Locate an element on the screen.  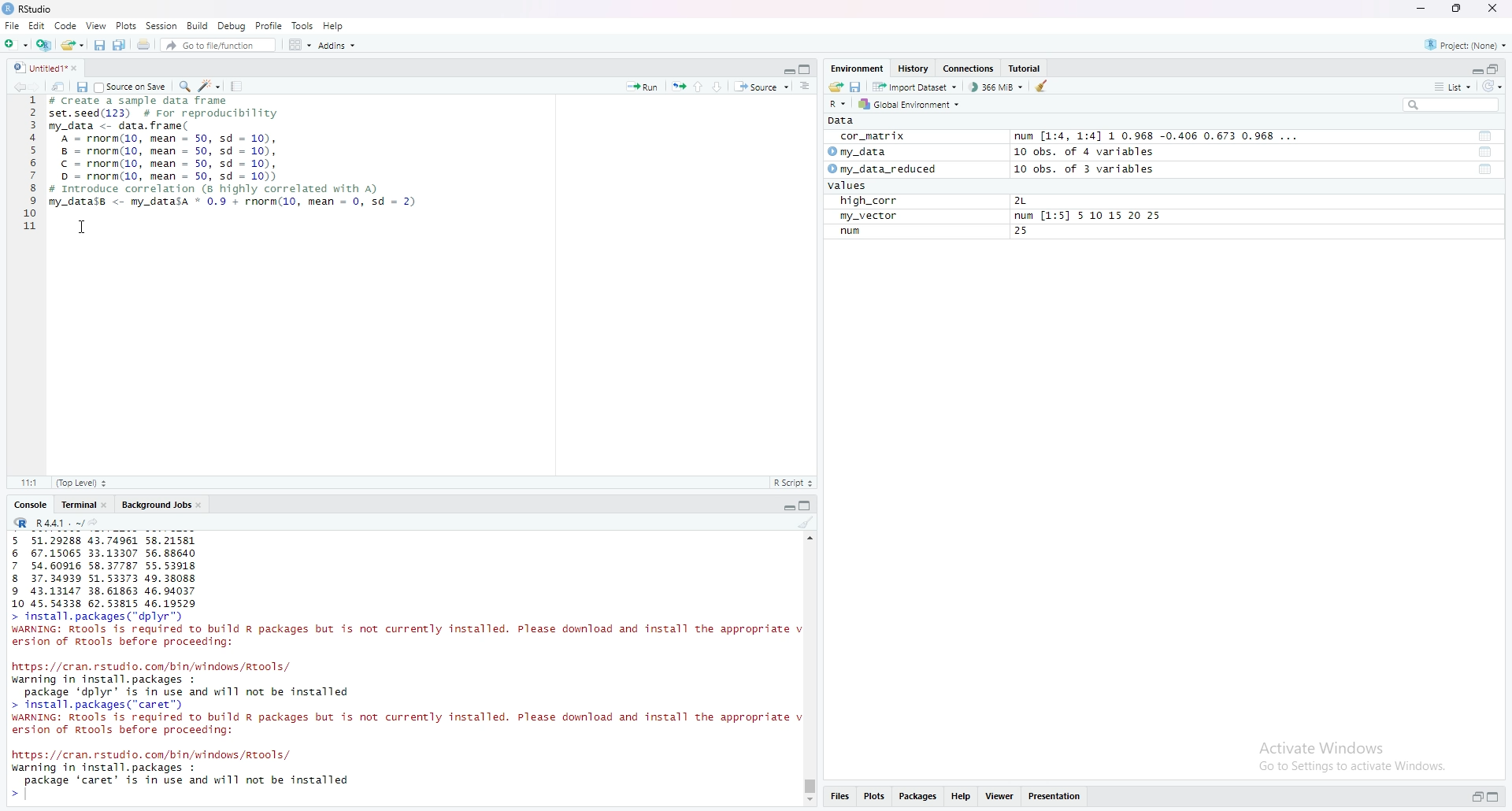
https: //cran. rstudio. com/bin/windows /Rtools/
warning in install. packages :
package ‘dplyr’ is in use and will not be installed
> install. packages (“caret”)
WARNING: RTools is required to build R packages but is not currently installed. Please download and install the appropriate v
ersion of Rtools before proceeding: is located at coordinates (405, 701).